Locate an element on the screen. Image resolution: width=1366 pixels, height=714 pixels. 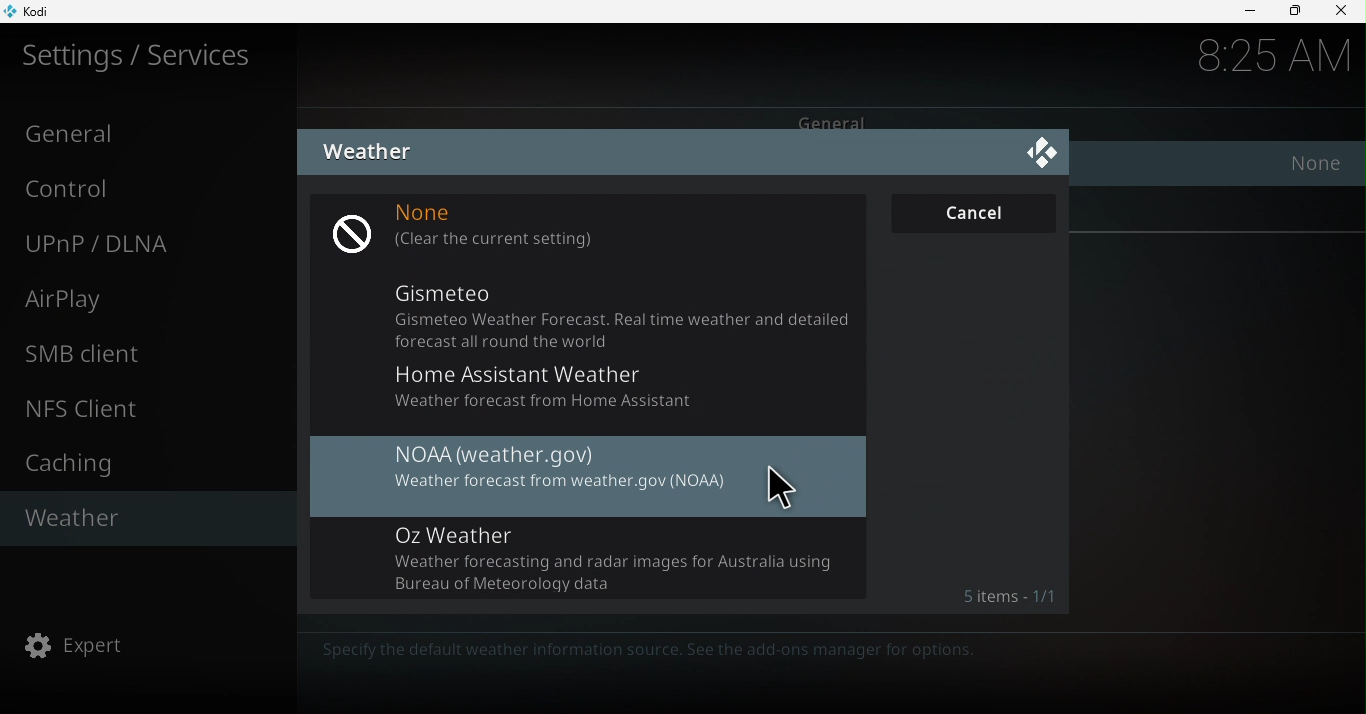
None (clear the current settings) is located at coordinates (582, 228).